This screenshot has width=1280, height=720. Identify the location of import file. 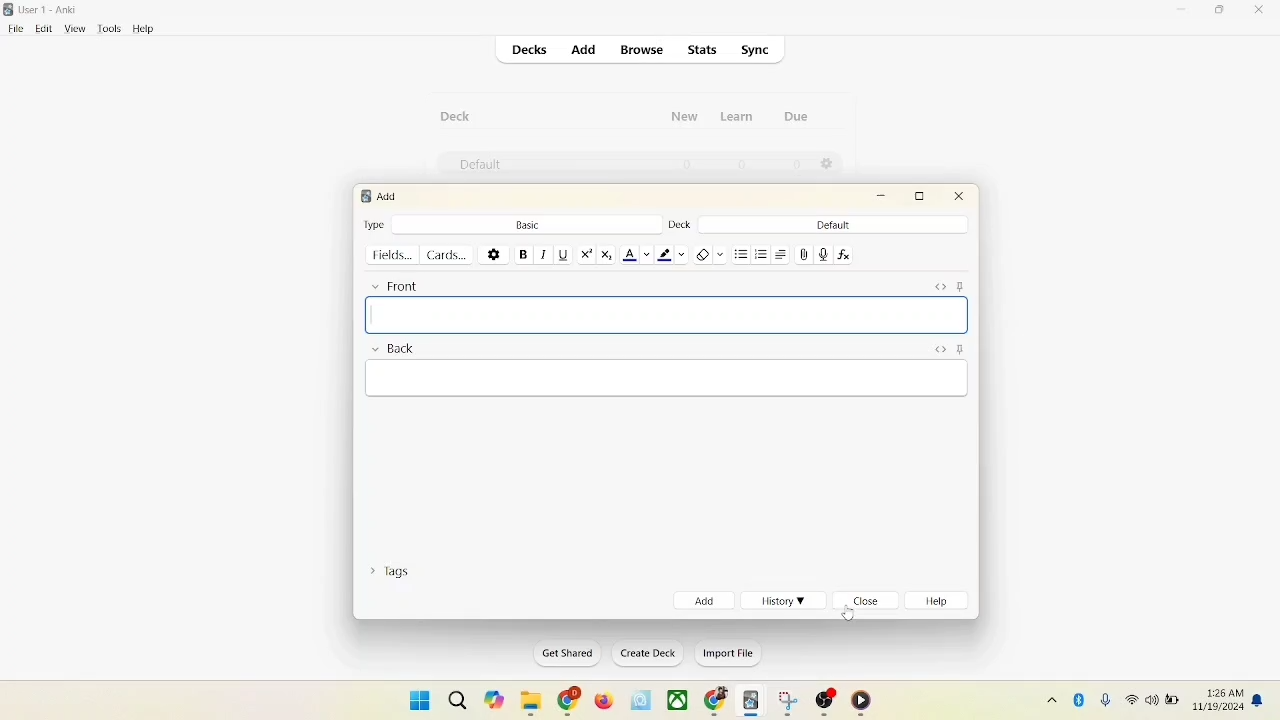
(726, 656).